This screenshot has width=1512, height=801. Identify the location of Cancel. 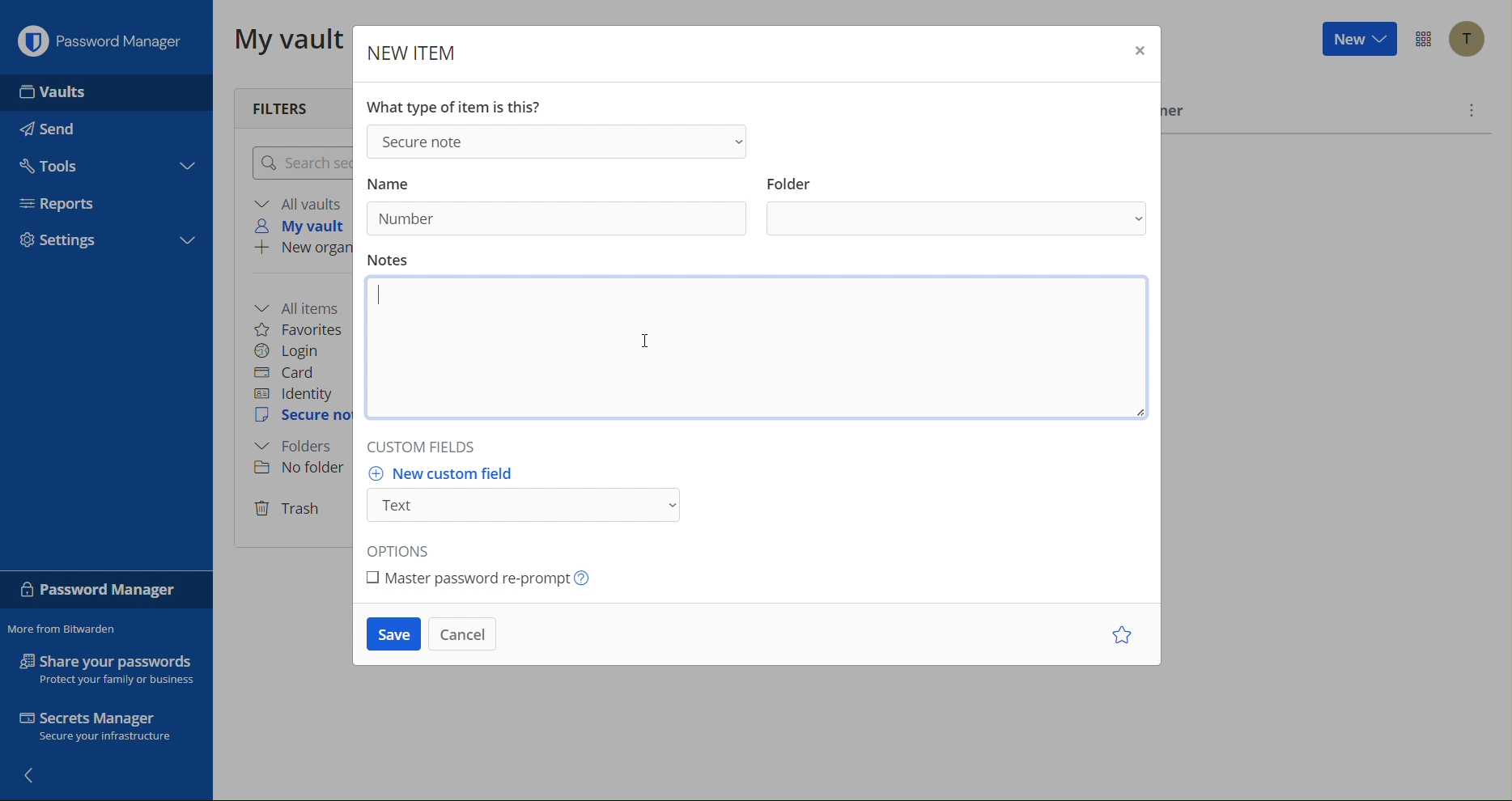
(466, 636).